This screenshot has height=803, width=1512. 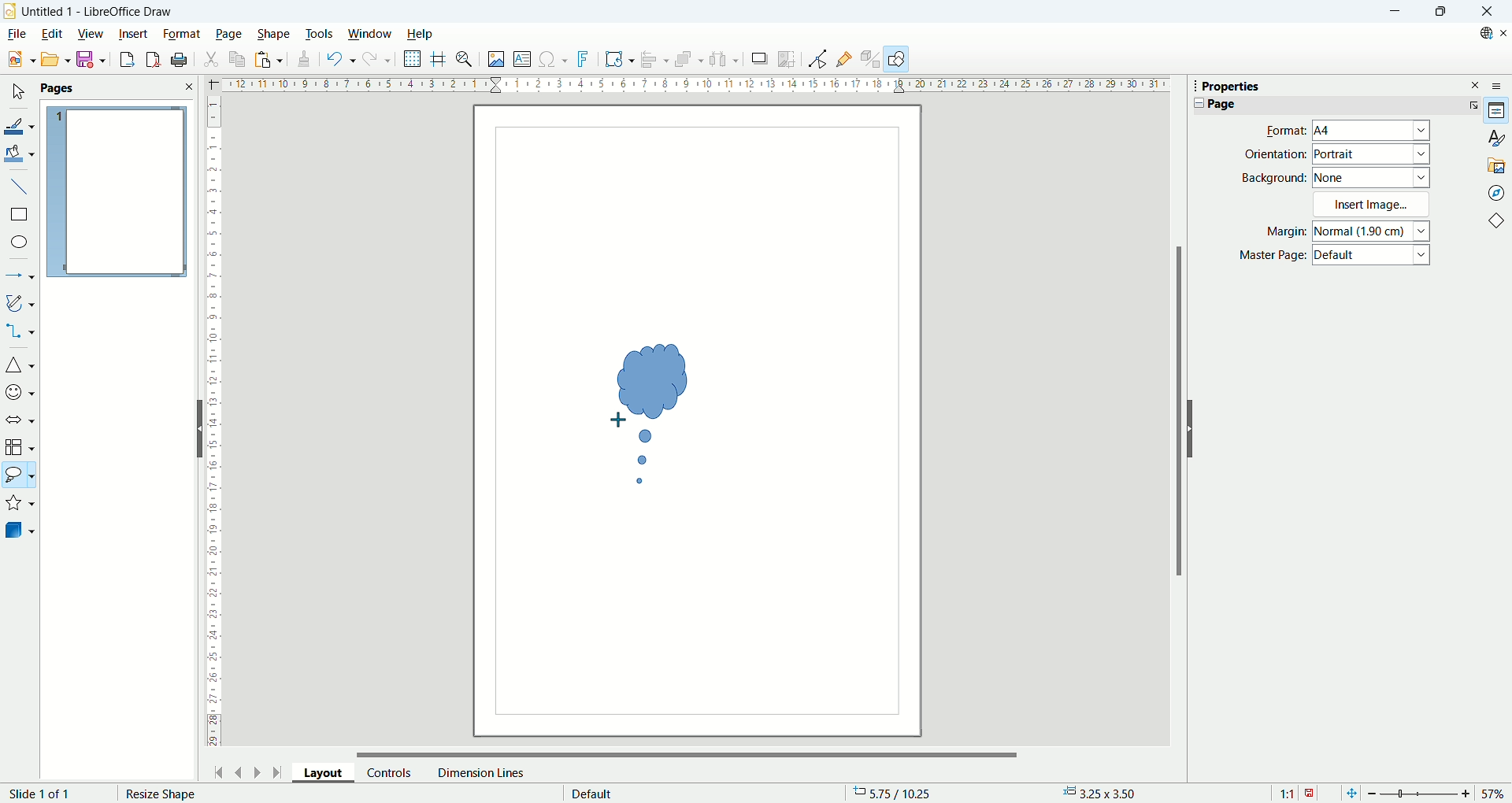 What do you see at coordinates (480, 772) in the screenshot?
I see `dimension lines` at bounding box center [480, 772].